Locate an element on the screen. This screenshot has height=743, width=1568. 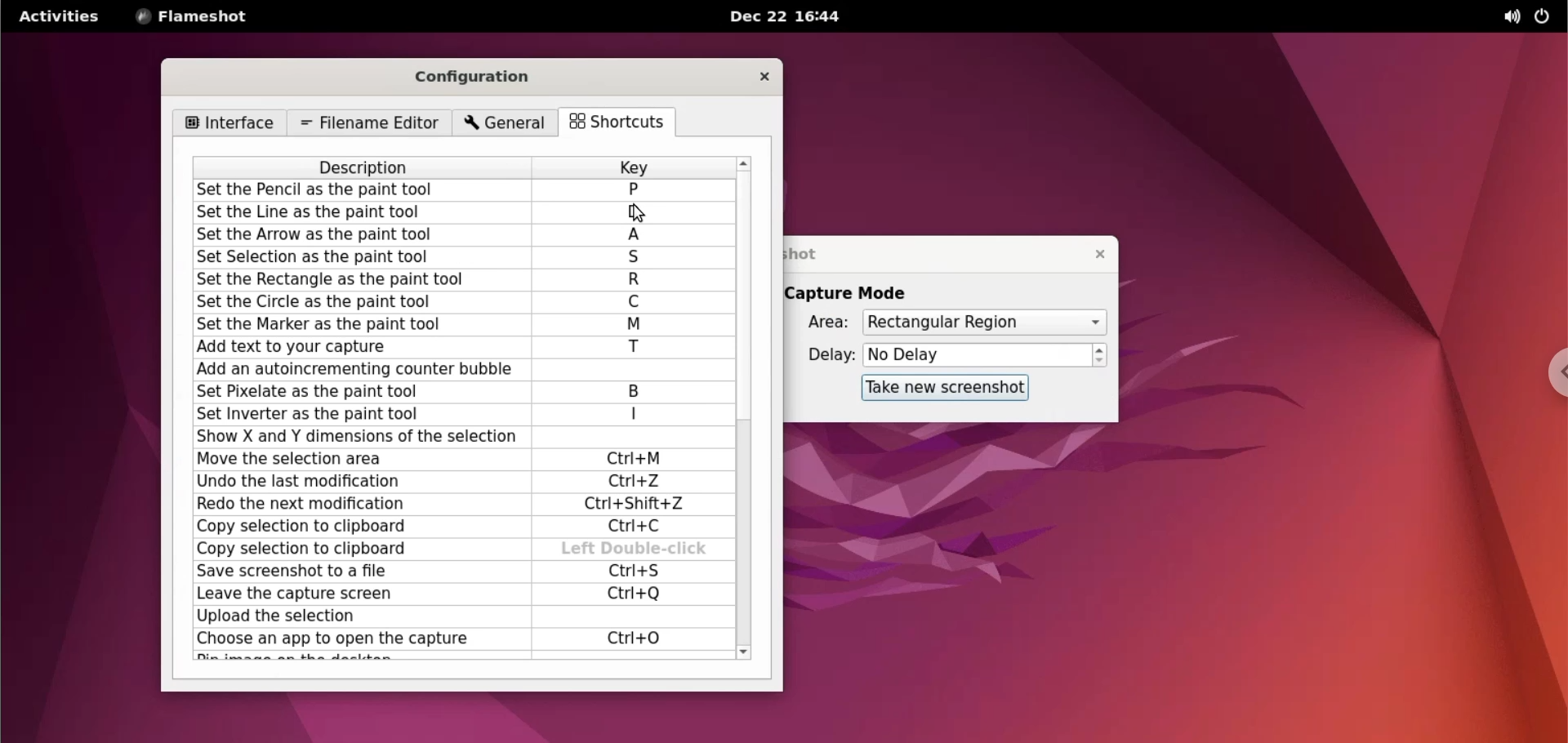
add an autoincrementing counter bubble  is located at coordinates (355, 371).